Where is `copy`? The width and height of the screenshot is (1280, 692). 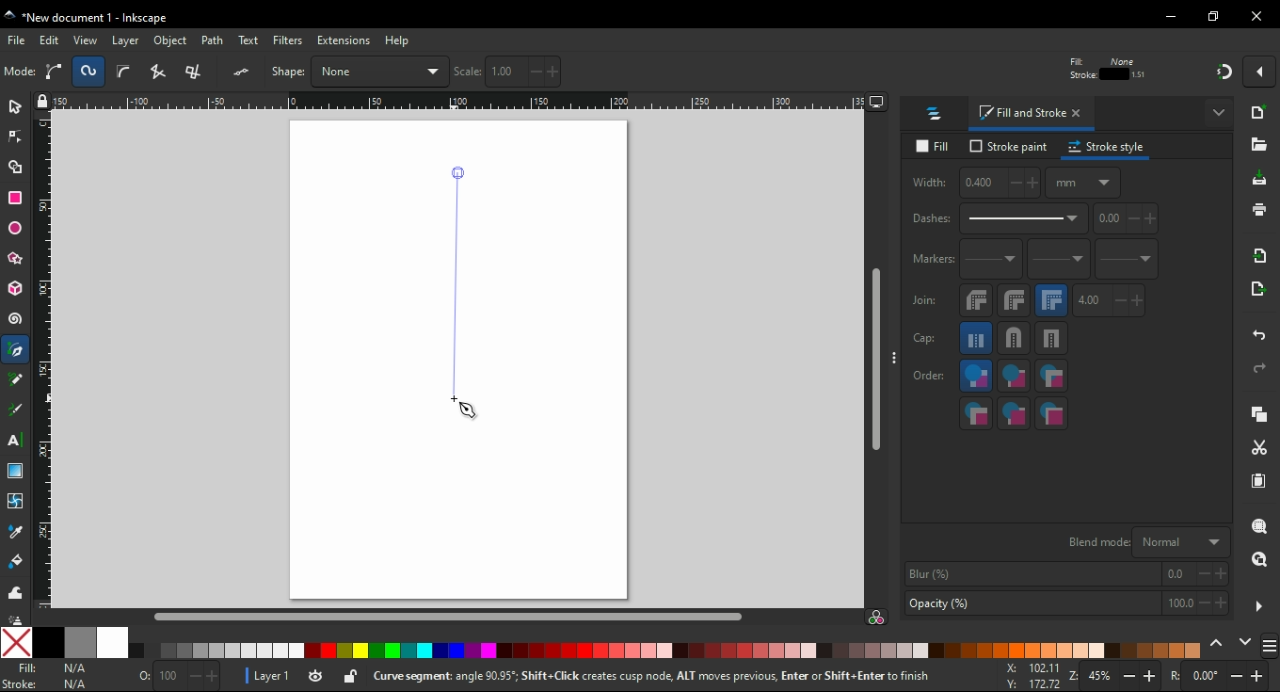 copy is located at coordinates (1259, 415).